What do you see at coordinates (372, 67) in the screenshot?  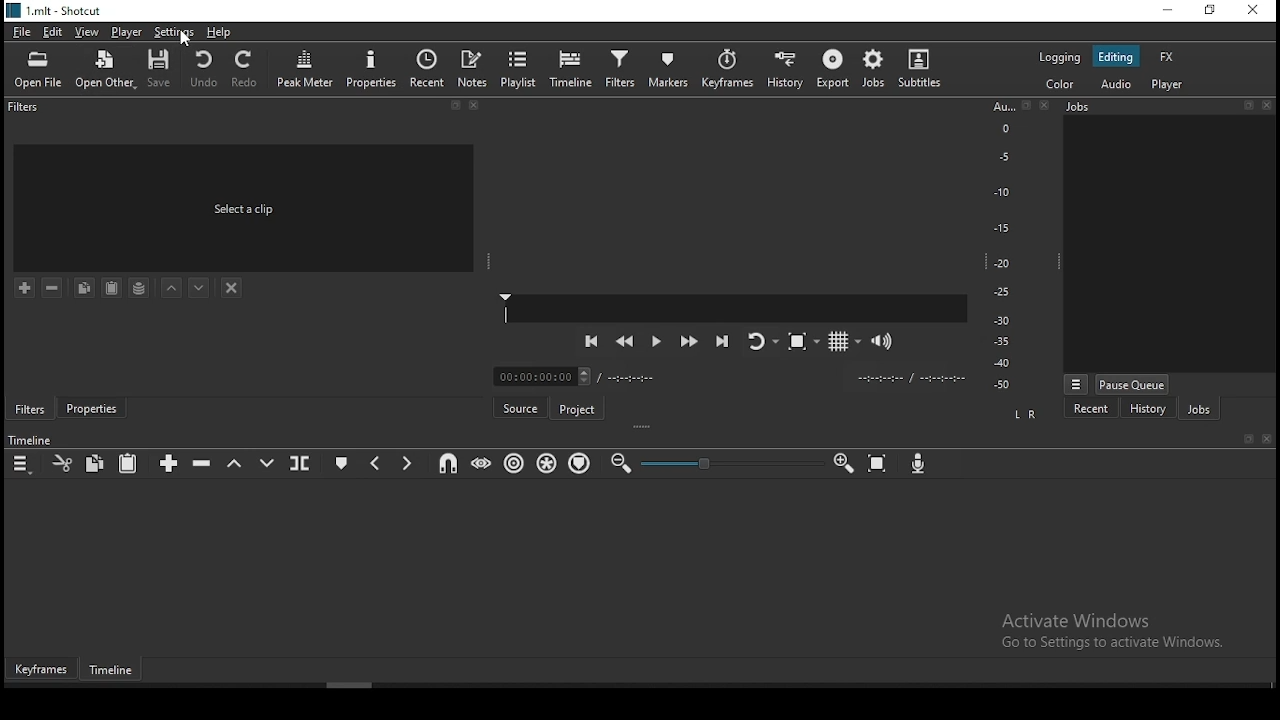 I see `properties` at bounding box center [372, 67].